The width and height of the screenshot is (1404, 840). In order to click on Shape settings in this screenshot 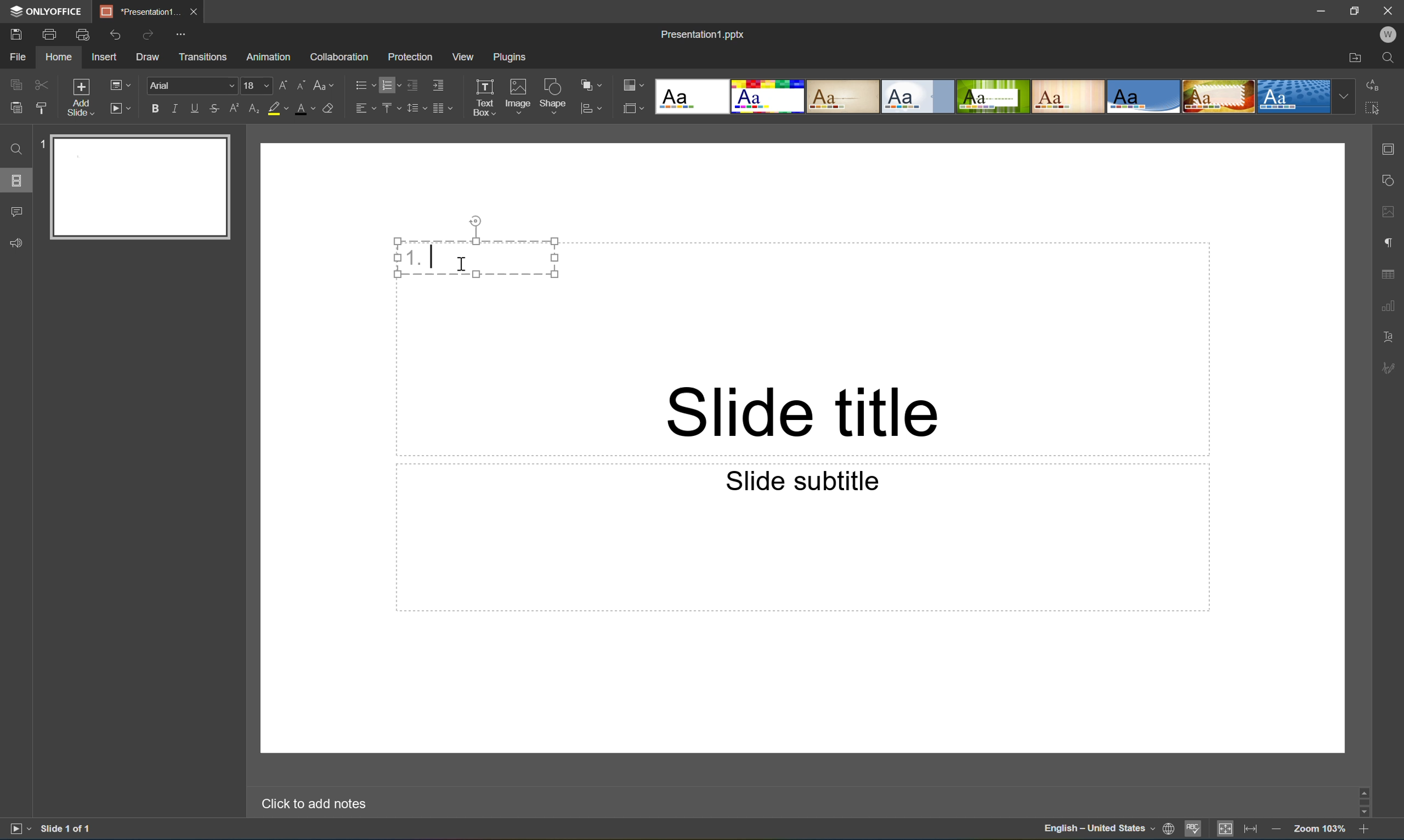, I will do `click(1392, 181)`.